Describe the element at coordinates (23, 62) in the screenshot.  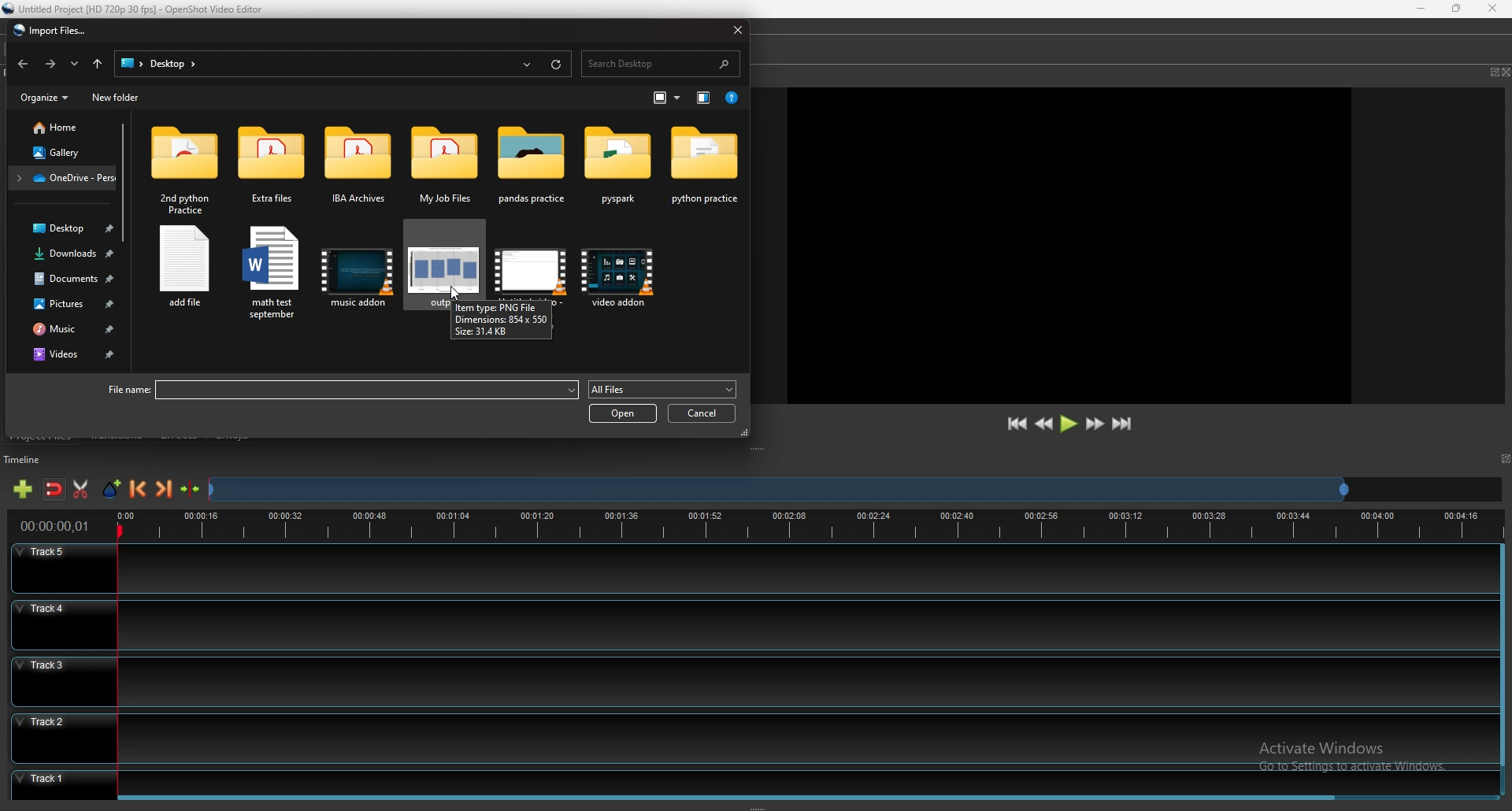
I see `back` at that location.